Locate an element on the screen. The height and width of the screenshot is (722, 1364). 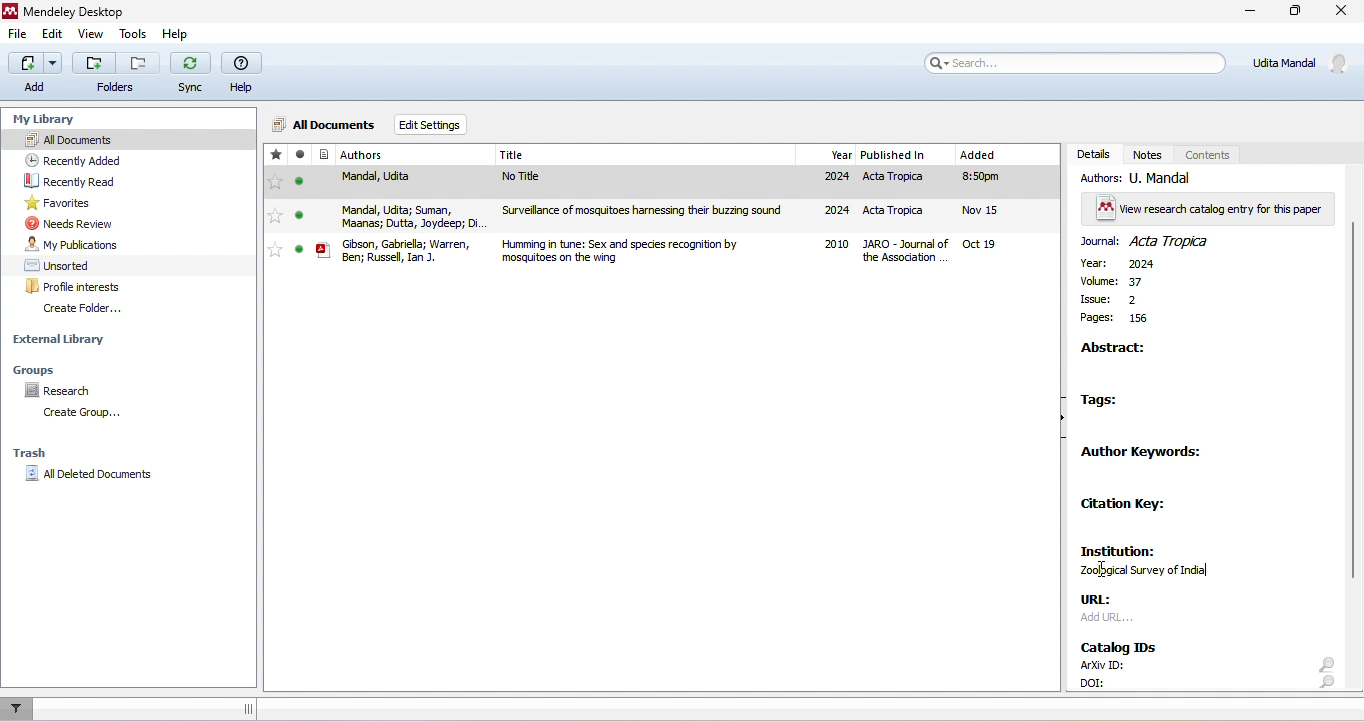
view is located at coordinates (88, 35).